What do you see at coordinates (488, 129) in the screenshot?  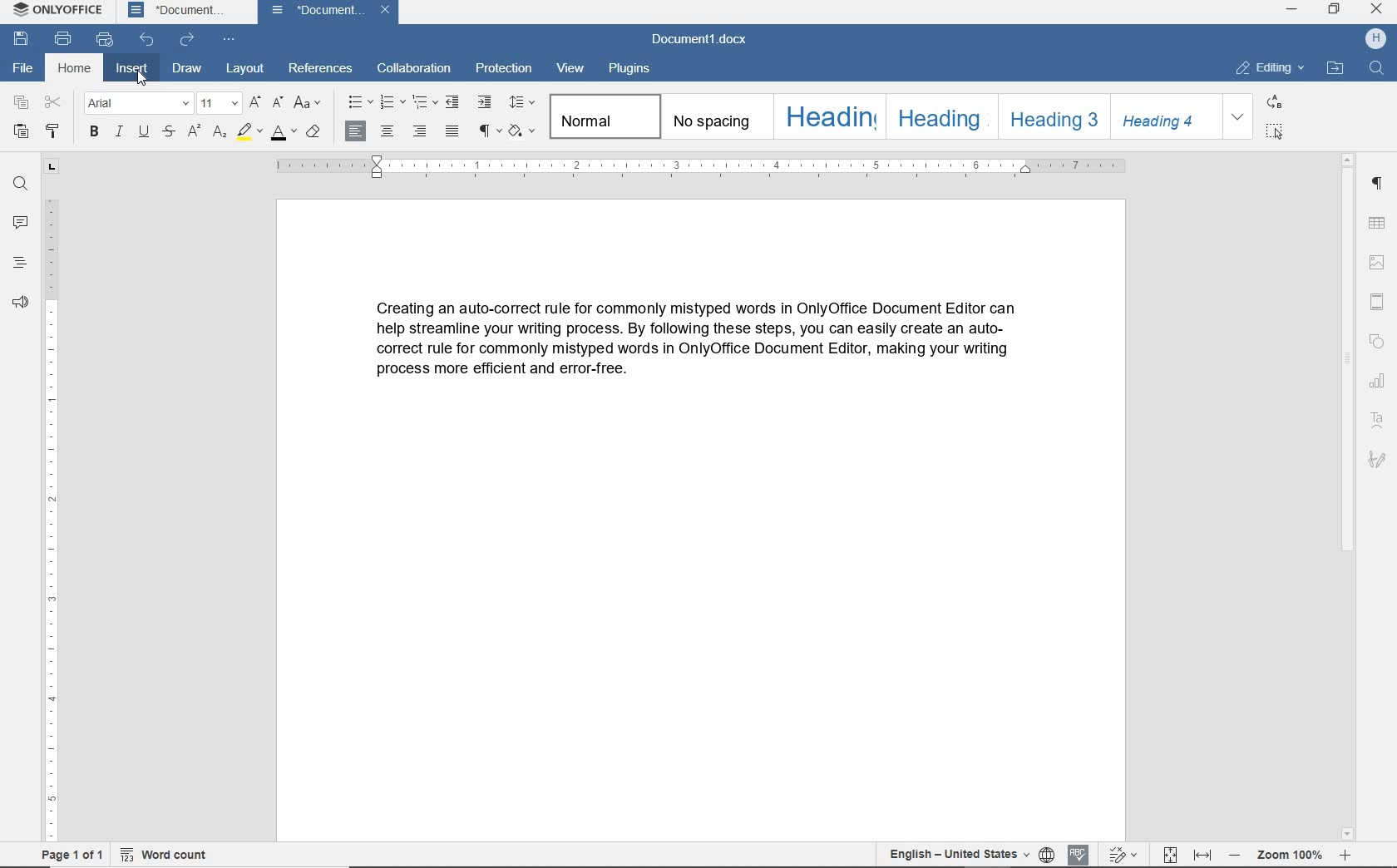 I see `nonprinting characters` at bounding box center [488, 129].